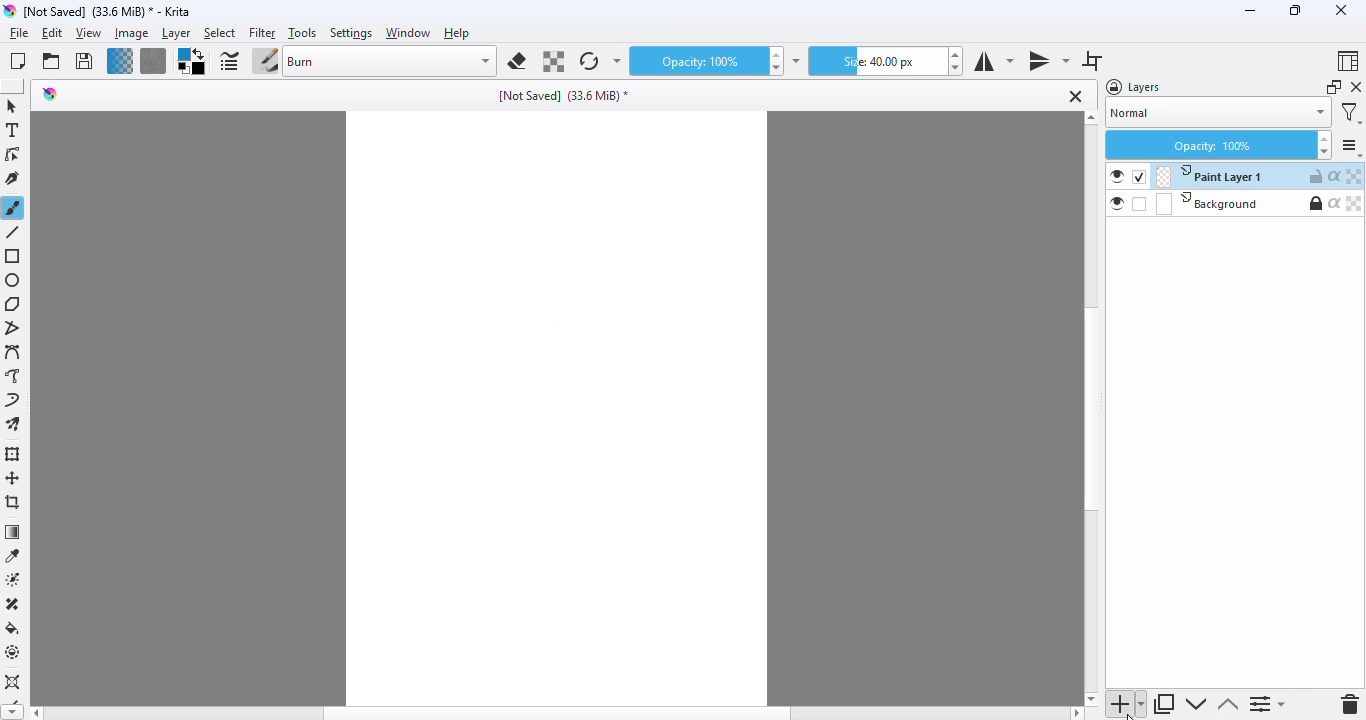 The height and width of the screenshot is (720, 1366). I want to click on smart patch tool, so click(13, 604).